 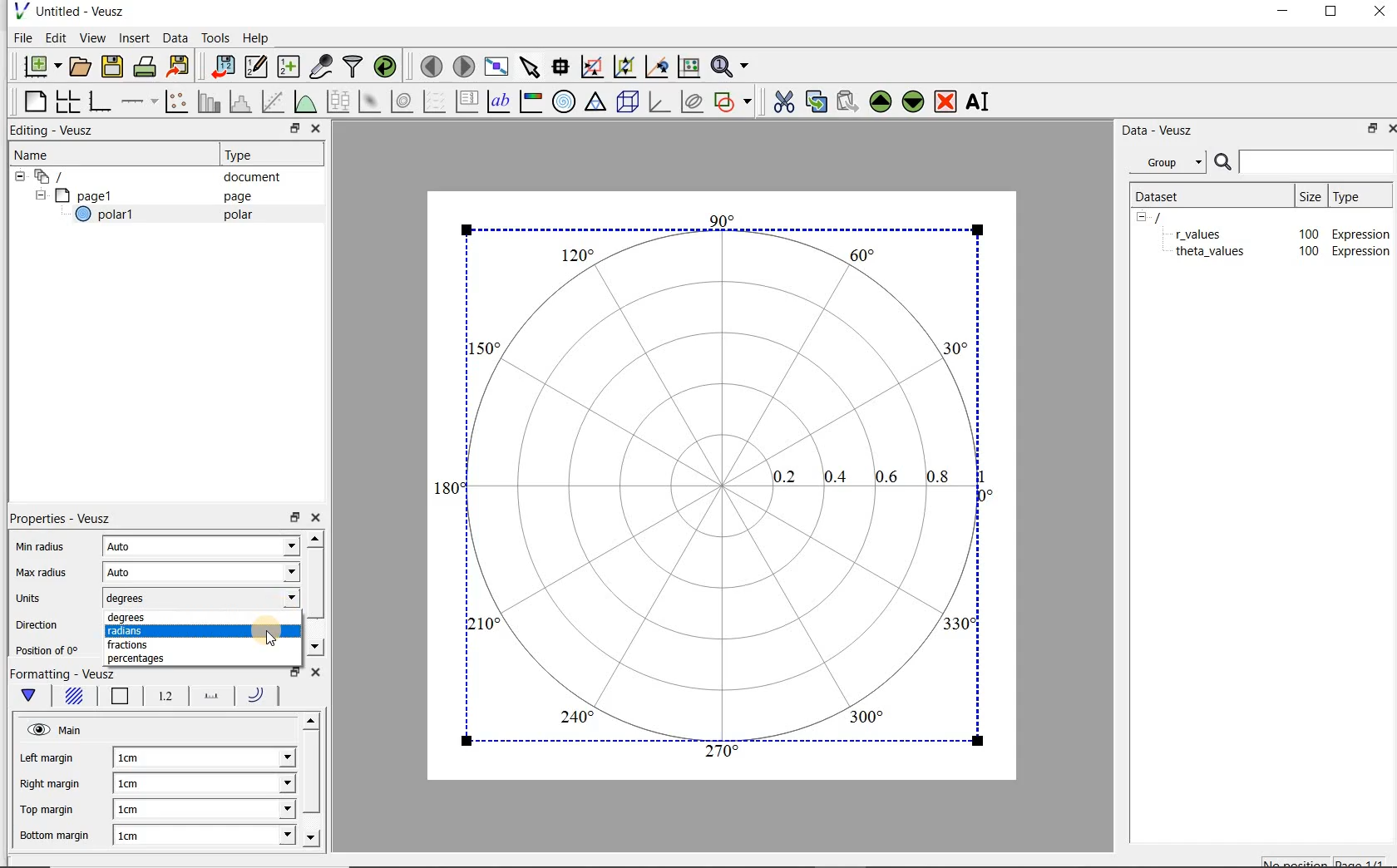 I want to click on filter data, so click(x=353, y=68).